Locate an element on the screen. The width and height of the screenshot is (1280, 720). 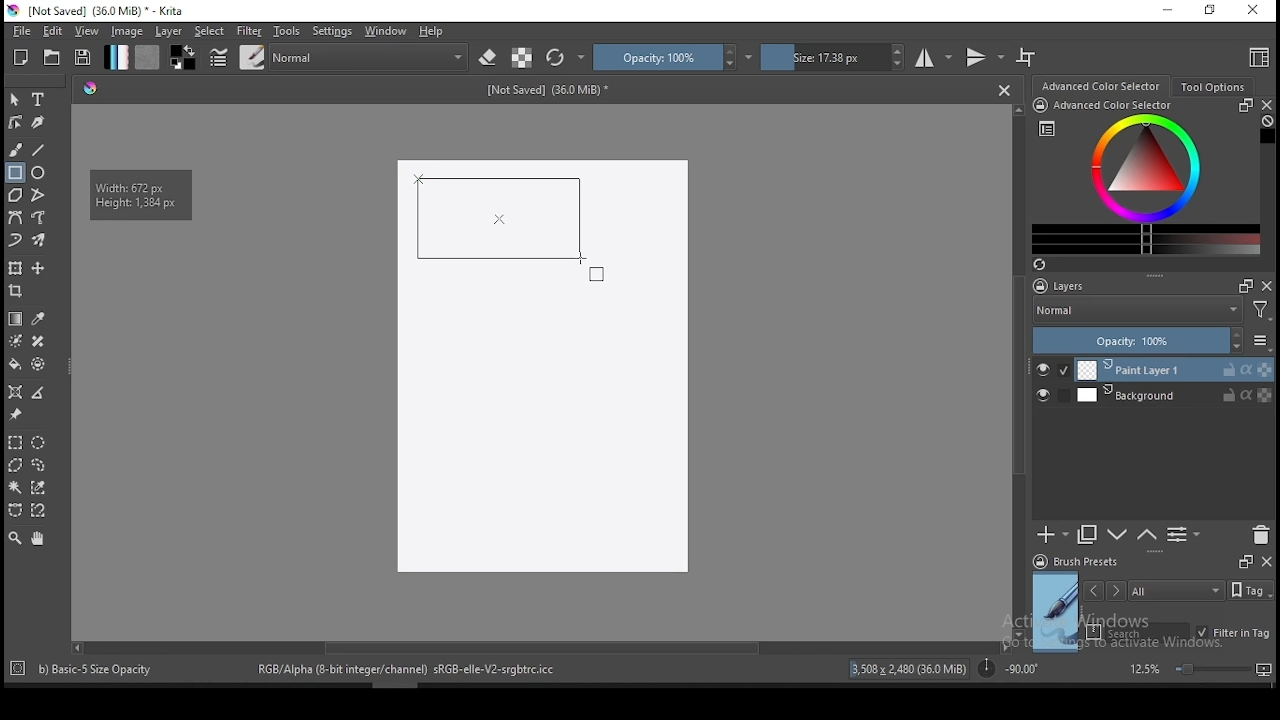
rectangular selection tool is located at coordinates (14, 442).